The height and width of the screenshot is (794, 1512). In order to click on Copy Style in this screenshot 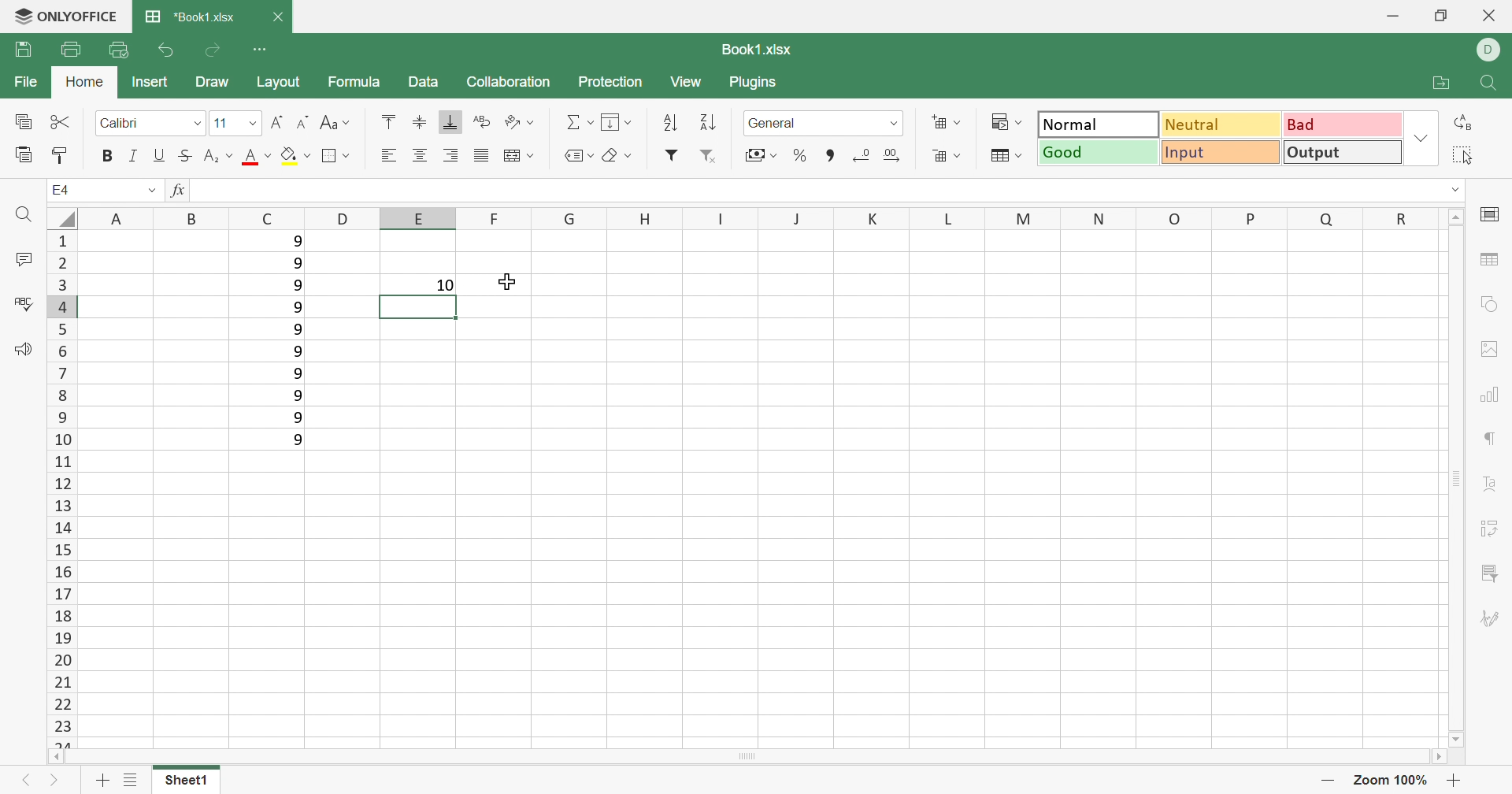, I will do `click(61, 155)`.